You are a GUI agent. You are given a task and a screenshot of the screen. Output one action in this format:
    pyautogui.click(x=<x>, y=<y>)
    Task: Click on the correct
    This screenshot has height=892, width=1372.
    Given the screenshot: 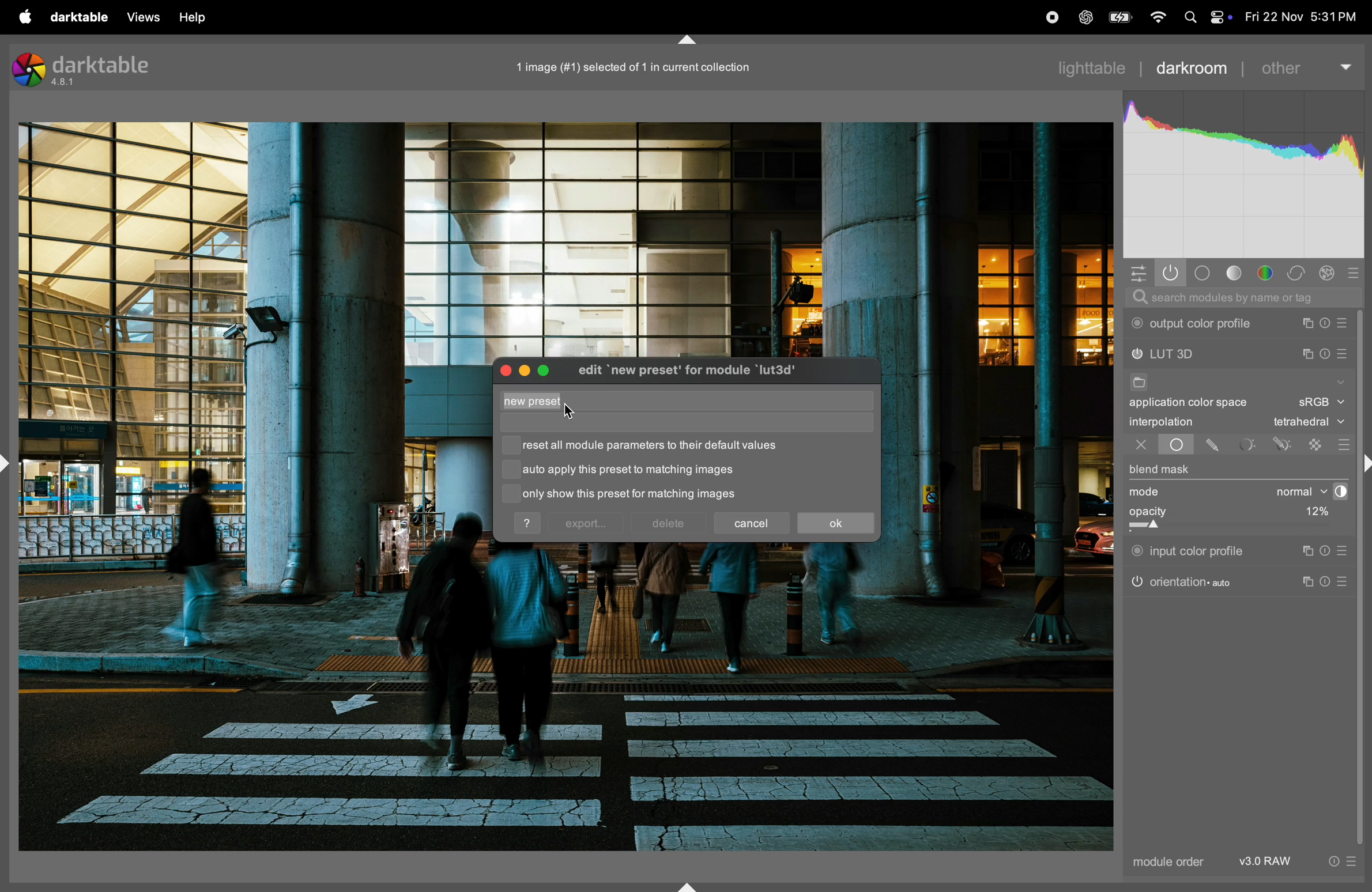 What is the action you would take?
    pyautogui.click(x=1299, y=273)
    